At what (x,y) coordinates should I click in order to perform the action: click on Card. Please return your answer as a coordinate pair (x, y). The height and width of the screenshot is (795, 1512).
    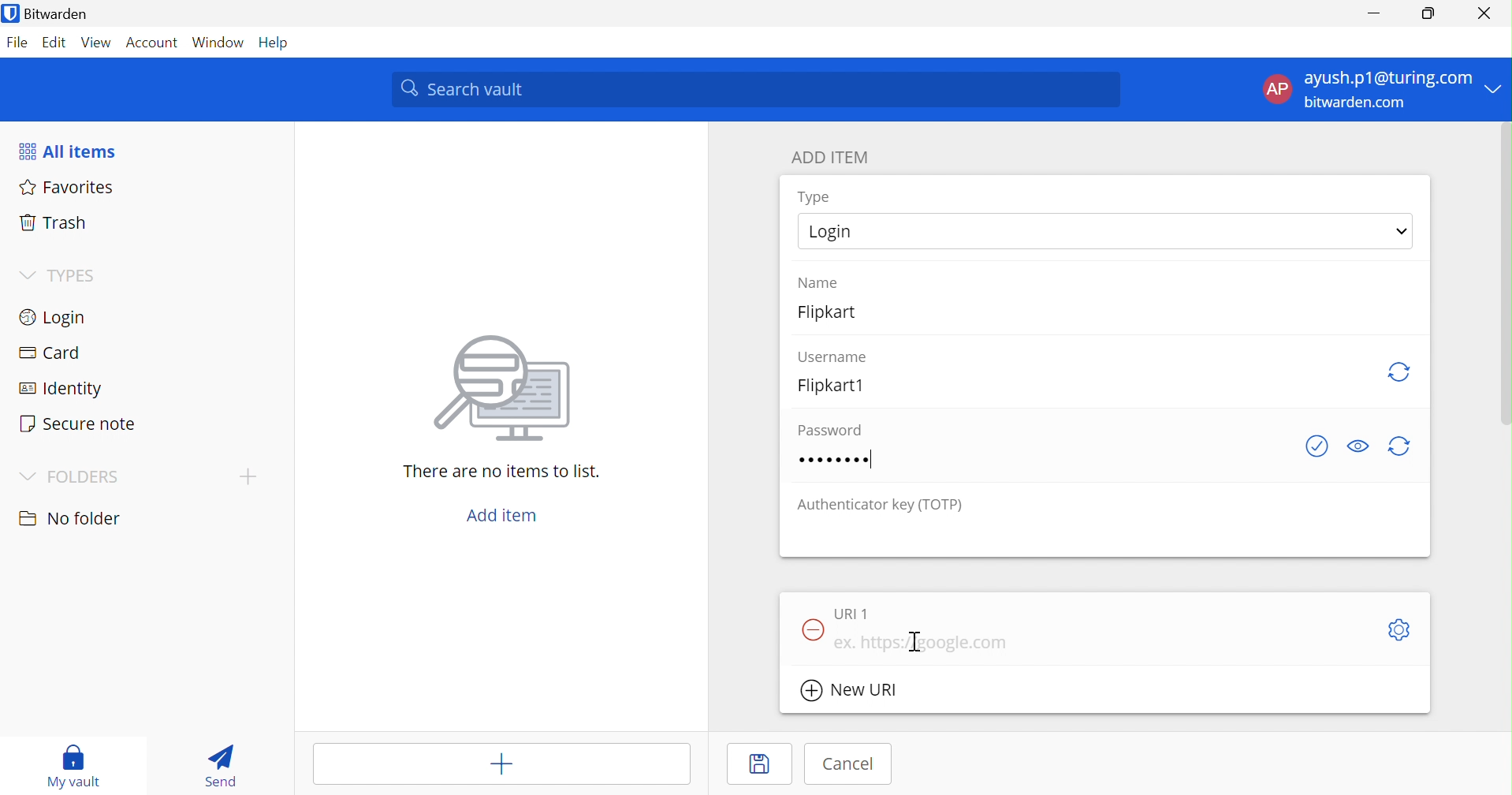
    Looking at the image, I should click on (53, 353).